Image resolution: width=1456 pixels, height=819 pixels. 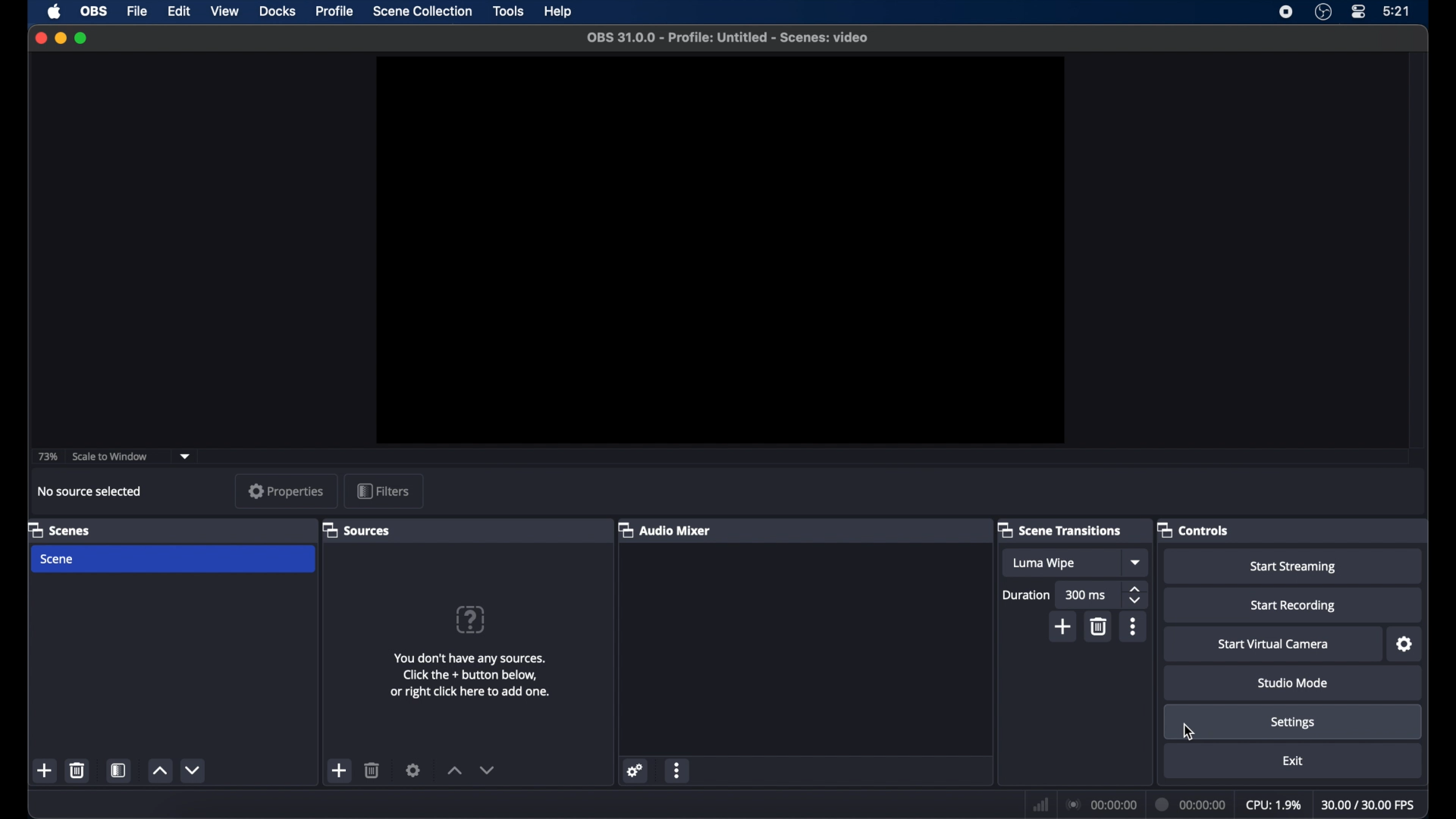 What do you see at coordinates (1192, 803) in the screenshot?
I see `duration` at bounding box center [1192, 803].